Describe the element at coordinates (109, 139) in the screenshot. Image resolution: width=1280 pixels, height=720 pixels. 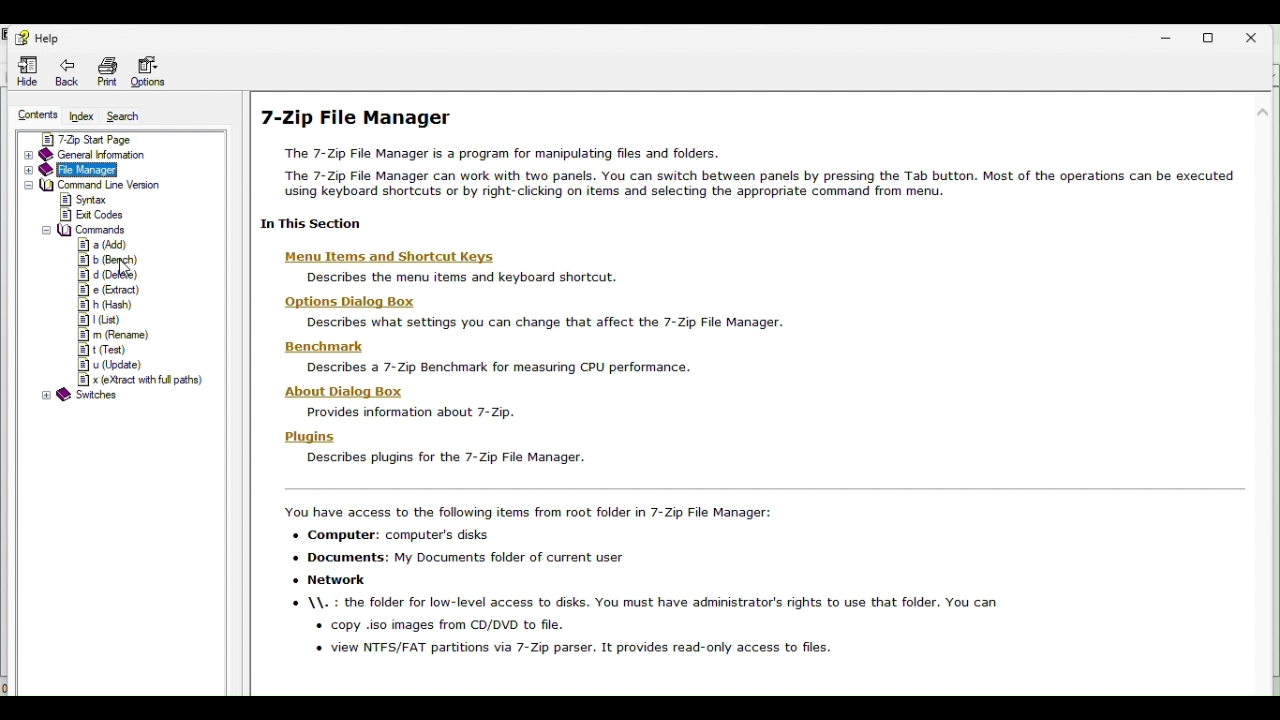
I see `7 zip start page` at that location.